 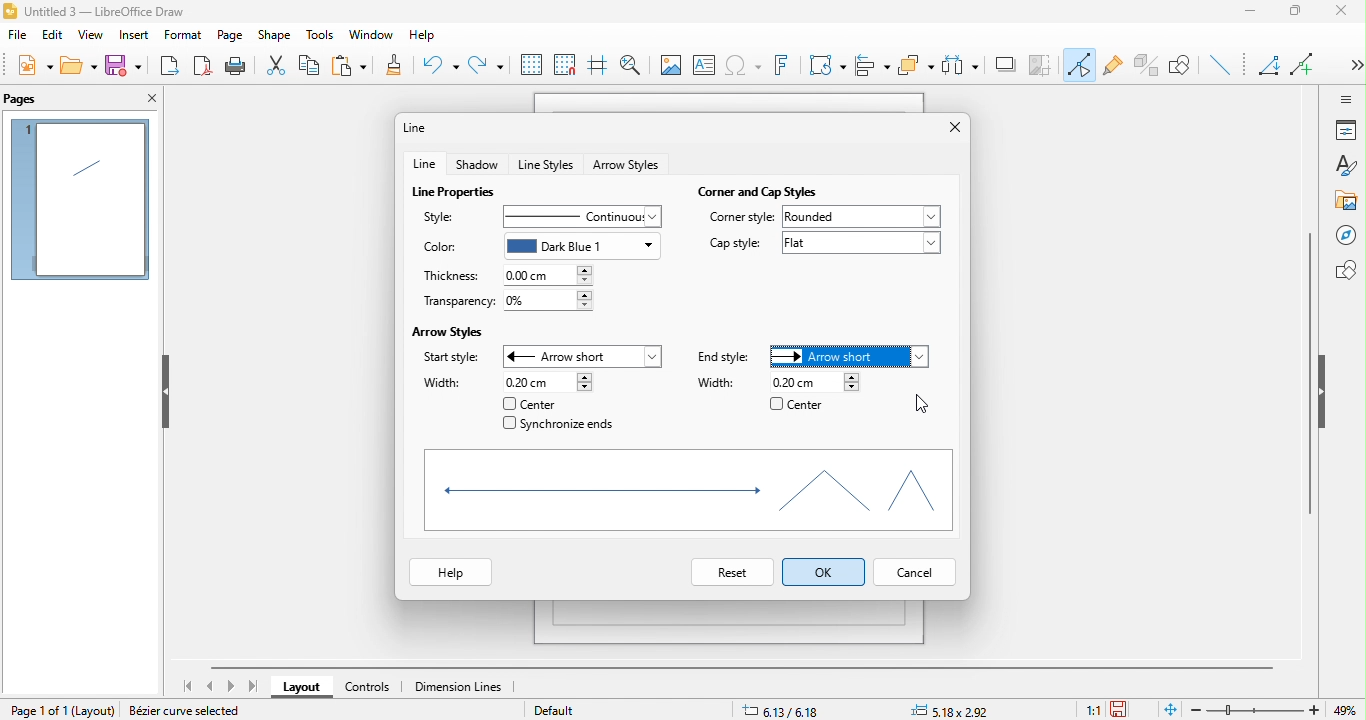 What do you see at coordinates (368, 689) in the screenshot?
I see `controls` at bounding box center [368, 689].